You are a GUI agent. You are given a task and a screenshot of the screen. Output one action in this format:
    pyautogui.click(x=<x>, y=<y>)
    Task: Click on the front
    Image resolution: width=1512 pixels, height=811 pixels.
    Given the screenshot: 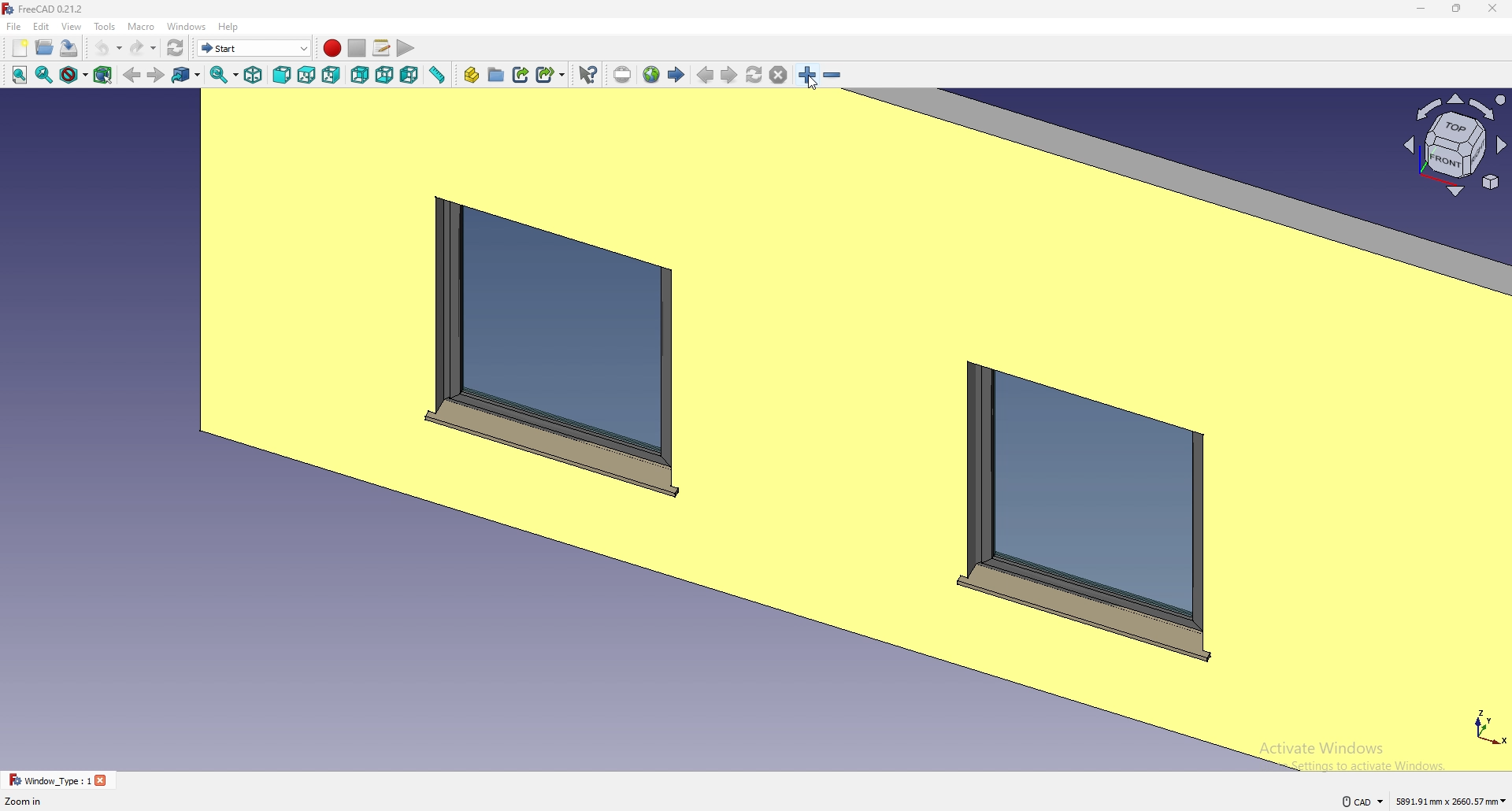 What is the action you would take?
    pyautogui.click(x=283, y=76)
    